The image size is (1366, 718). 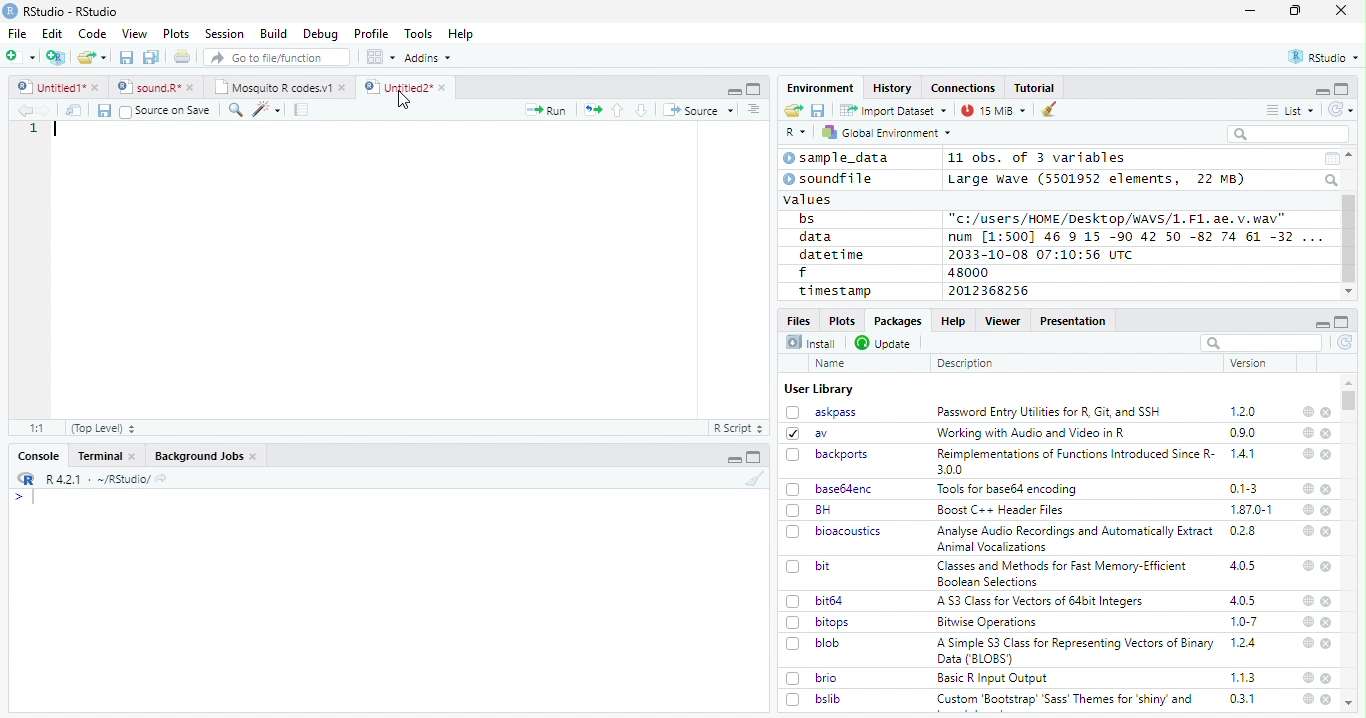 I want to click on Code tools, so click(x=265, y=109).